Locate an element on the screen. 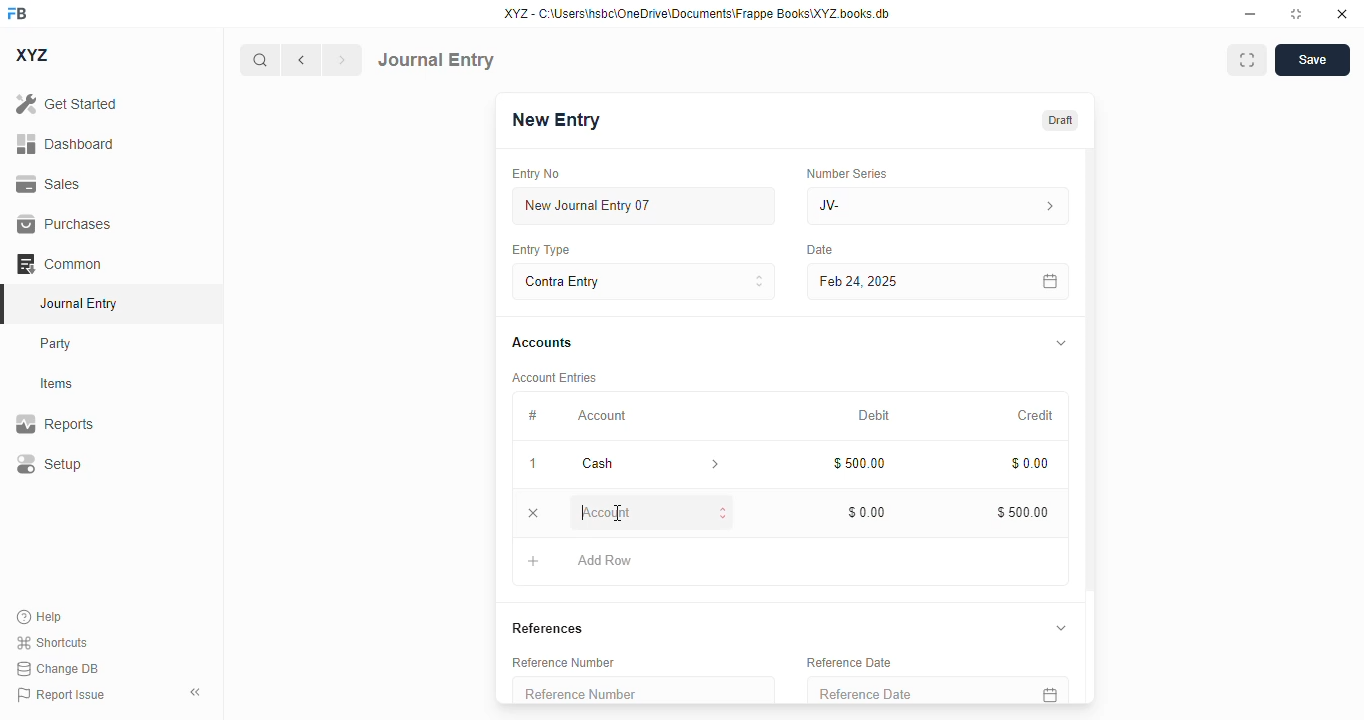 This screenshot has width=1364, height=720. journal entry is located at coordinates (80, 303).